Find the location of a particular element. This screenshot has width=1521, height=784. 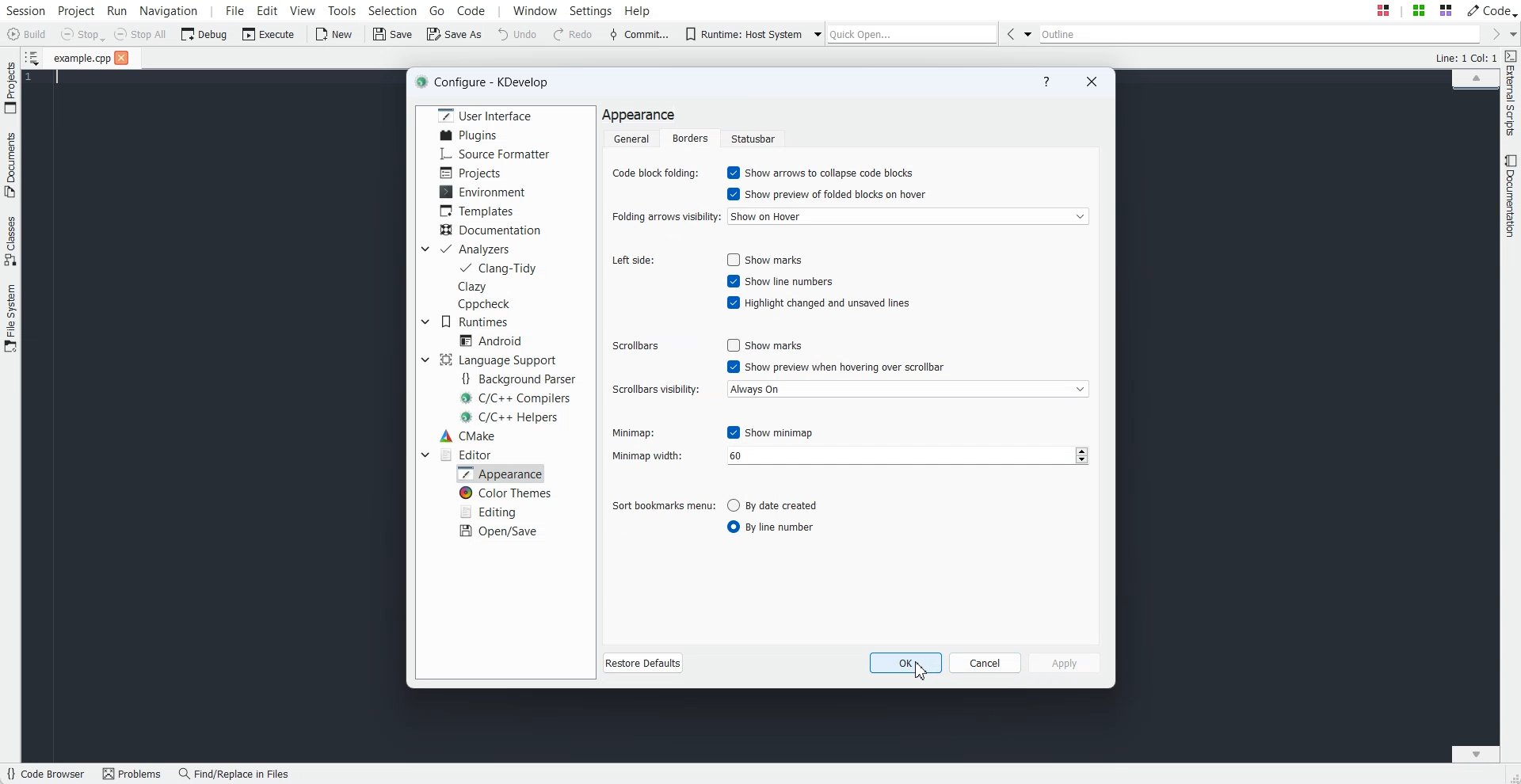

Documents is located at coordinates (10, 165).